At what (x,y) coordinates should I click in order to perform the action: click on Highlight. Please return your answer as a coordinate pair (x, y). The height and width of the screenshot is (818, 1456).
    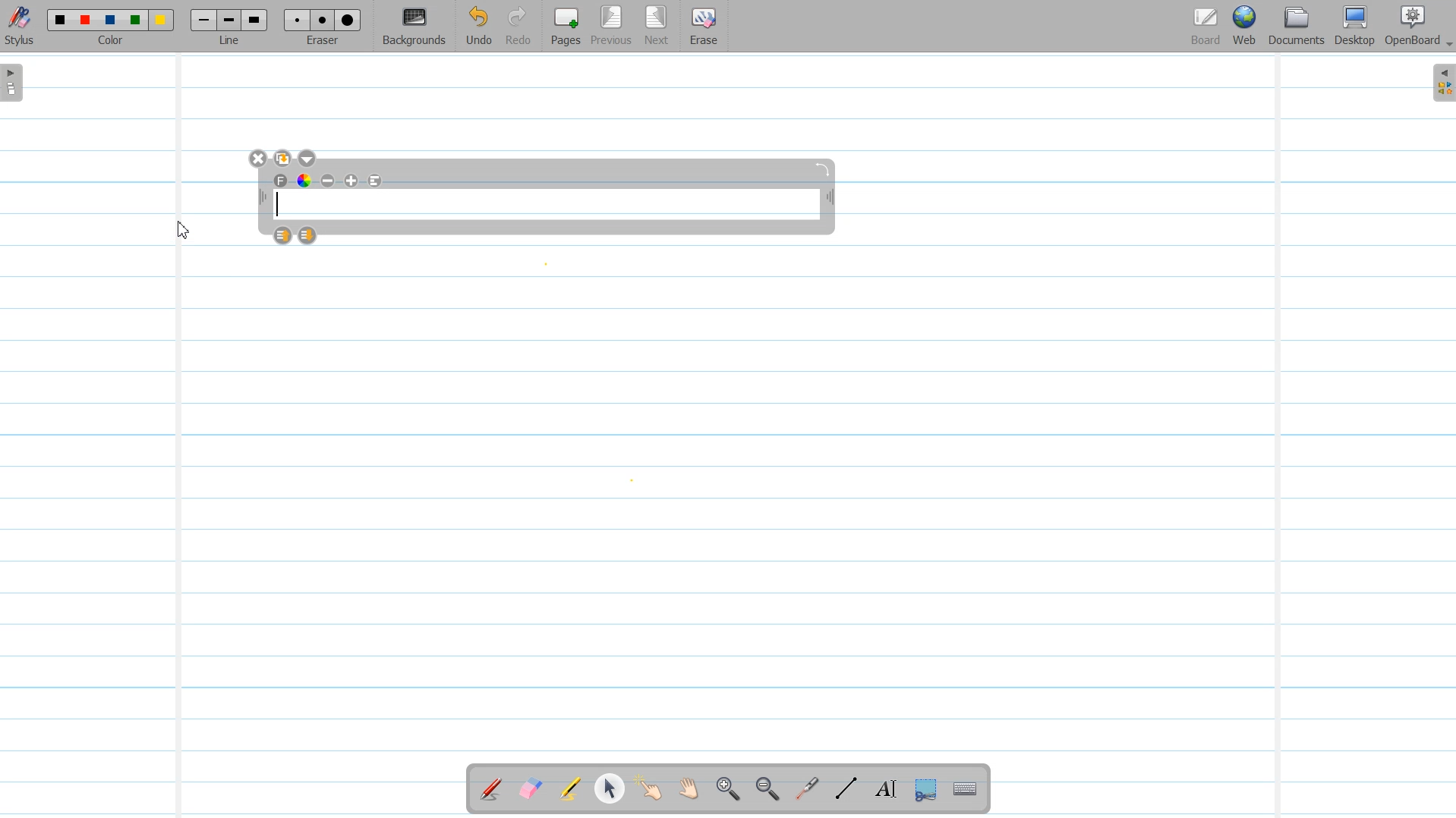
    Looking at the image, I should click on (570, 791).